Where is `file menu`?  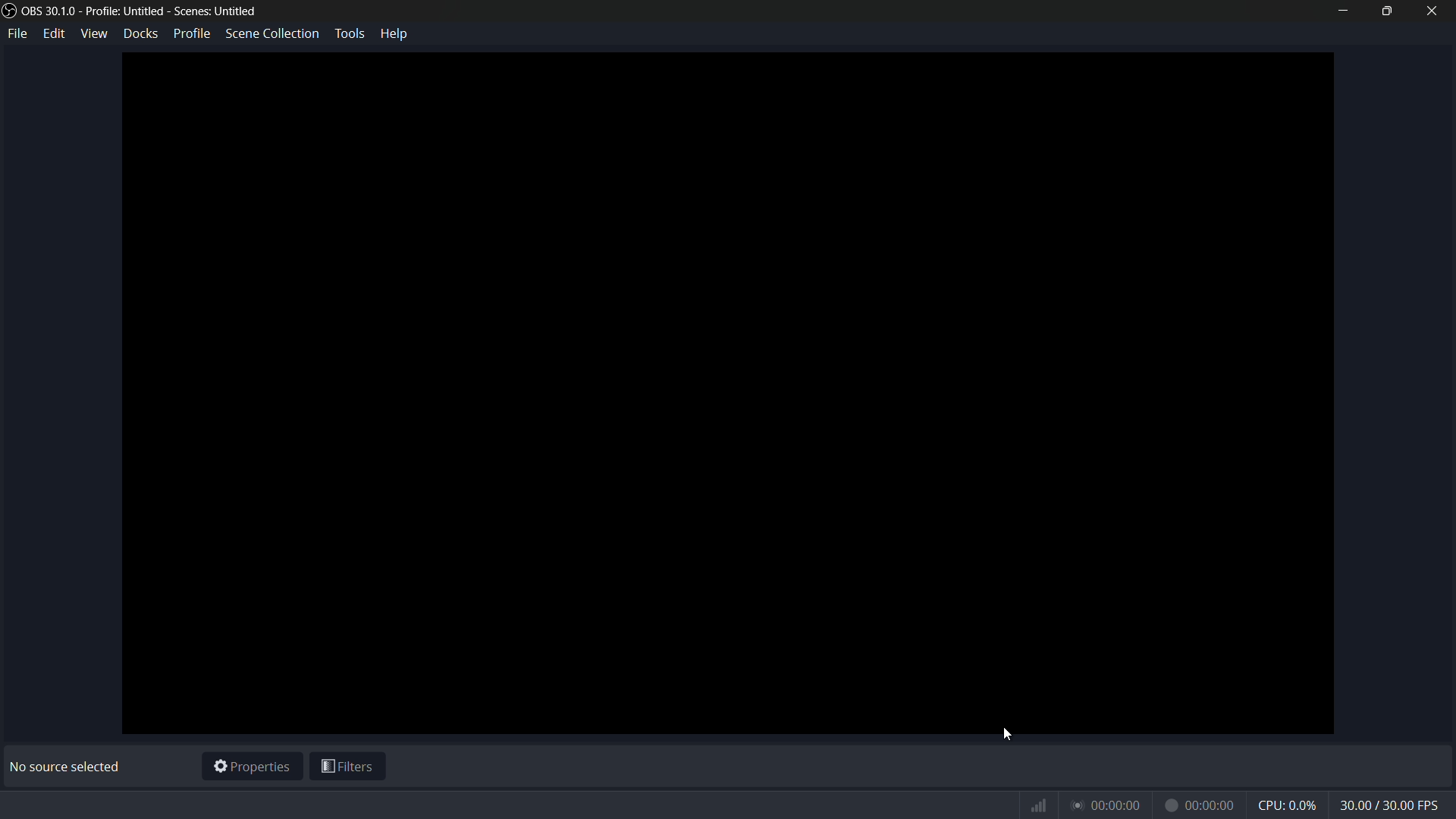
file menu is located at coordinates (18, 34).